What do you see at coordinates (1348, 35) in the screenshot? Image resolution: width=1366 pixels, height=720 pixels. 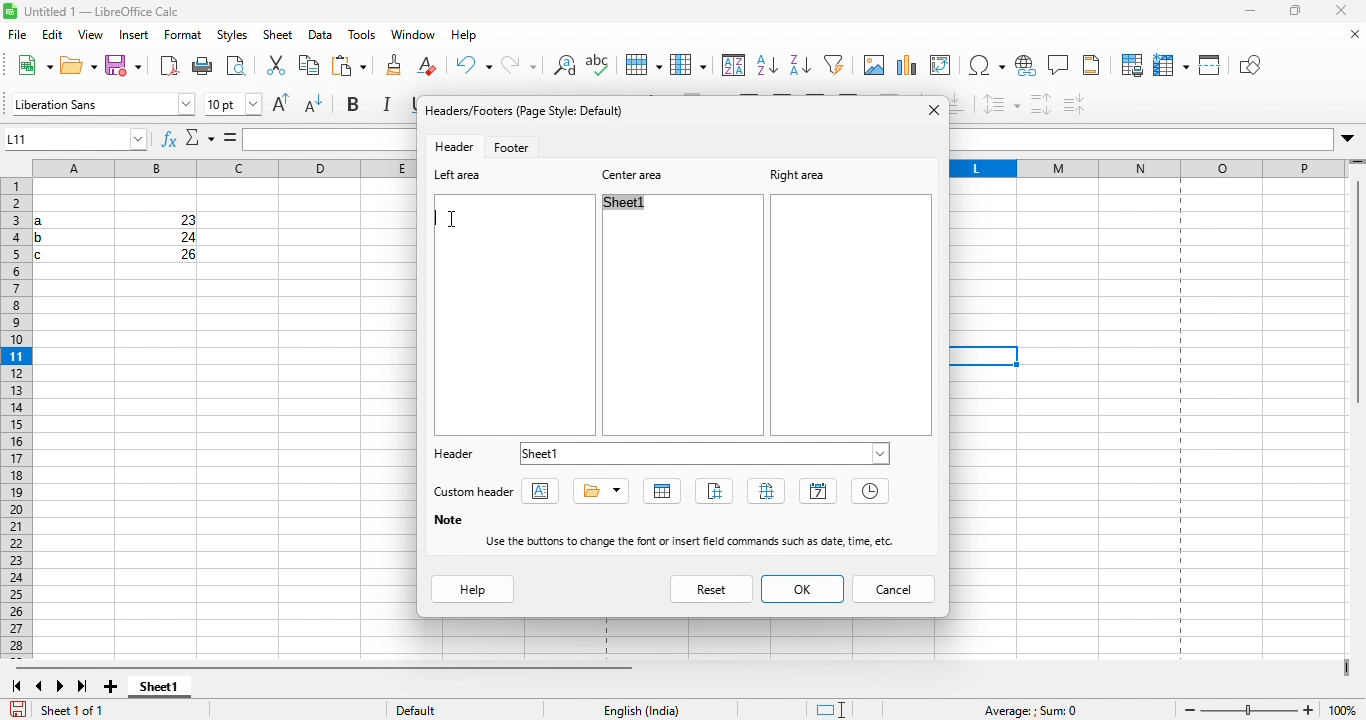 I see `close` at bounding box center [1348, 35].